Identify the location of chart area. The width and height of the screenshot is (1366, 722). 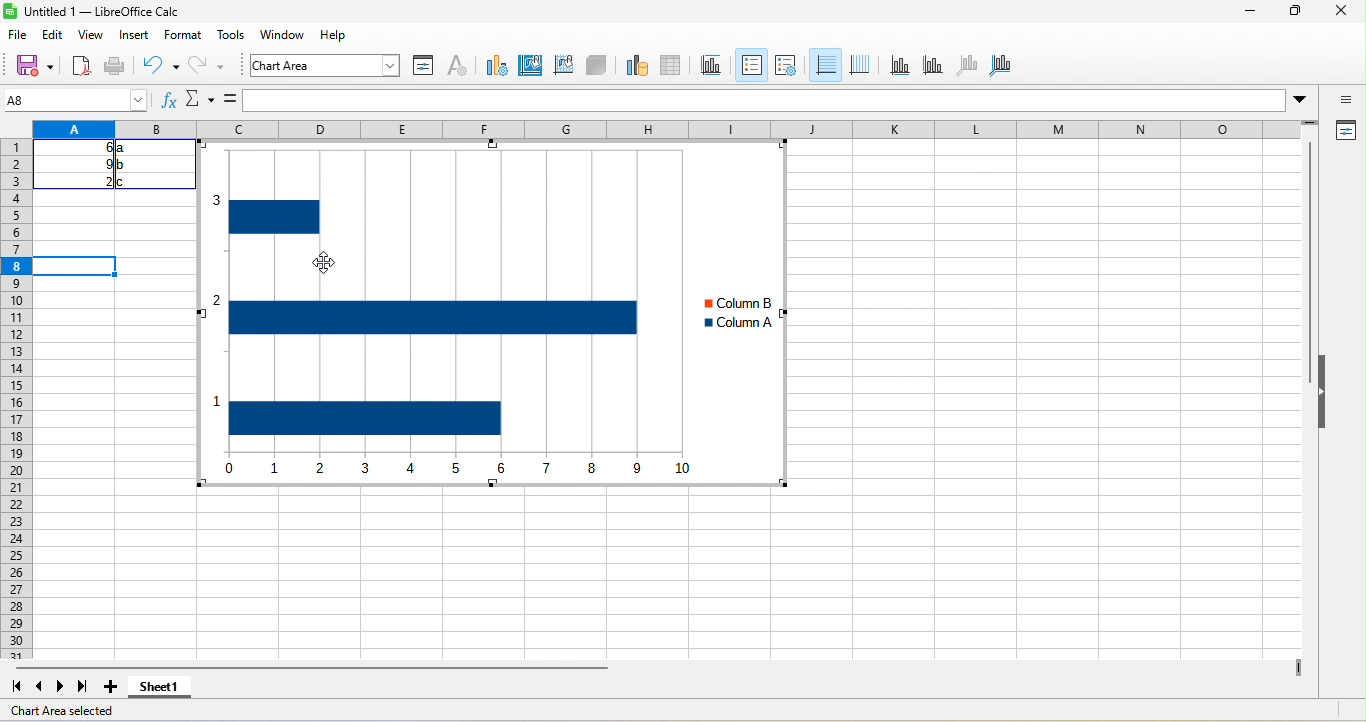
(326, 66).